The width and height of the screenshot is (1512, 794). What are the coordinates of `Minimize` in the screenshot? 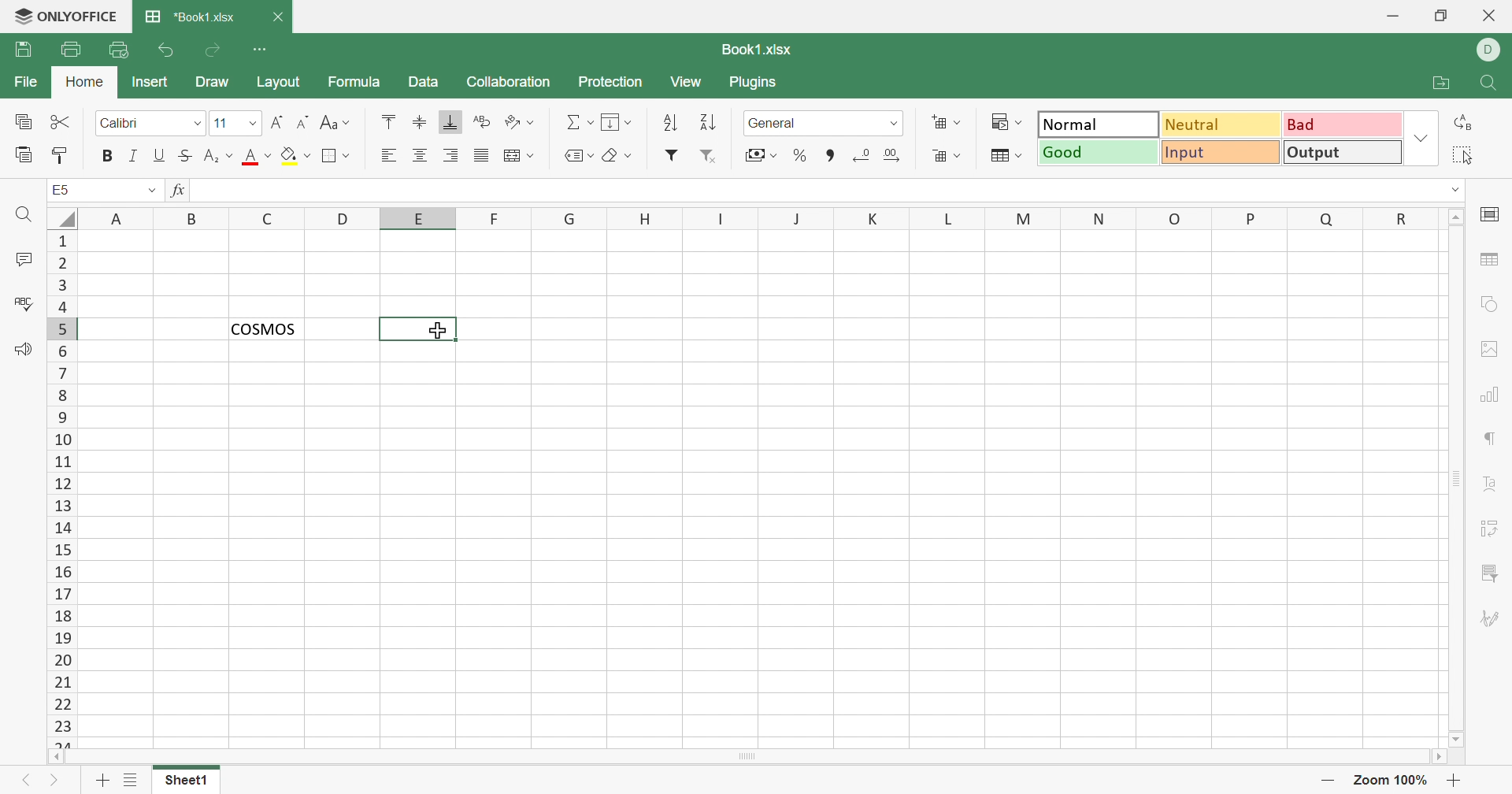 It's located at (1392, 17).